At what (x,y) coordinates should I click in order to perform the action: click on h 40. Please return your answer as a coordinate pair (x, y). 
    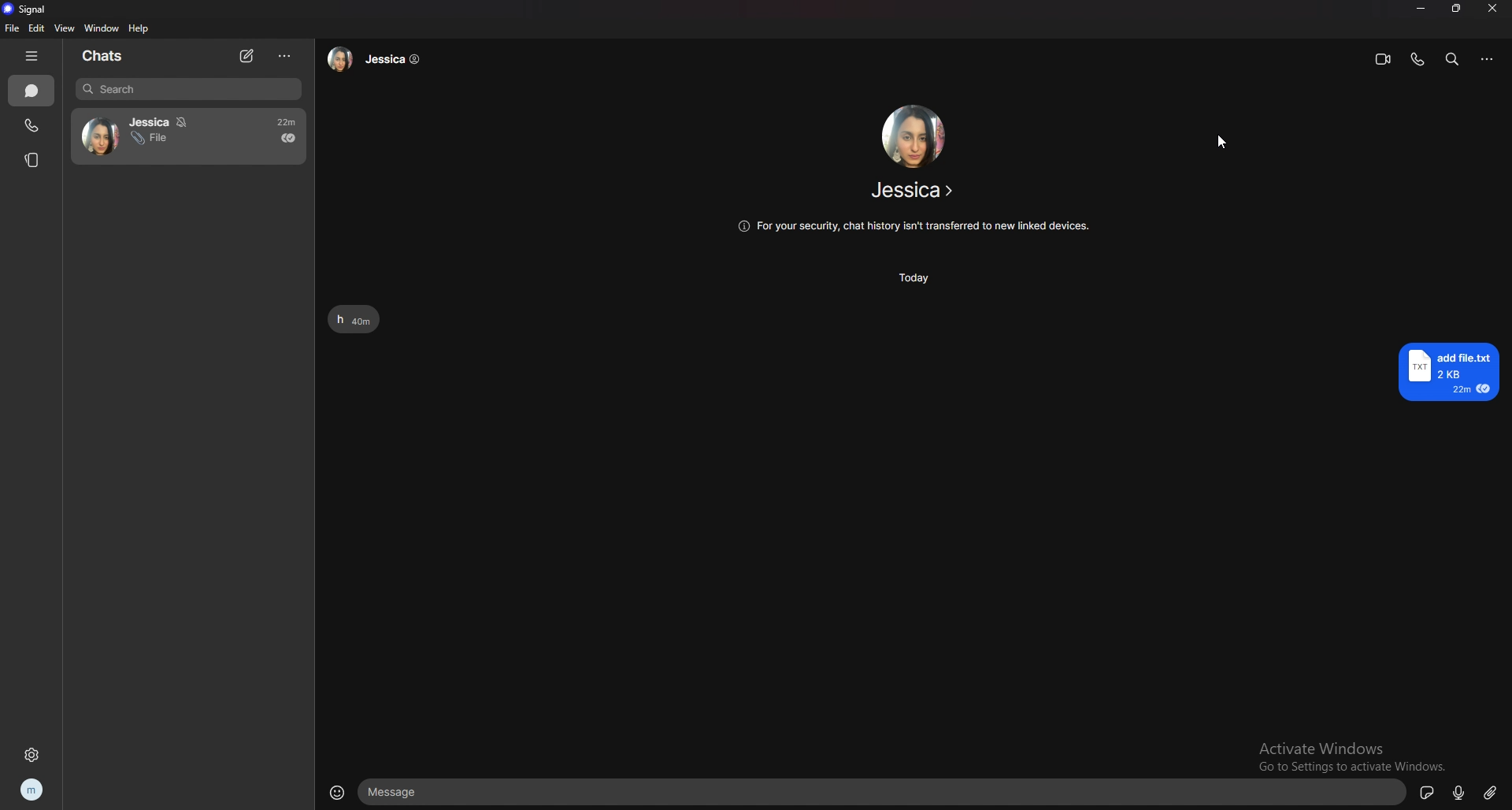
    Looking at the image, I should click on (358, 318).